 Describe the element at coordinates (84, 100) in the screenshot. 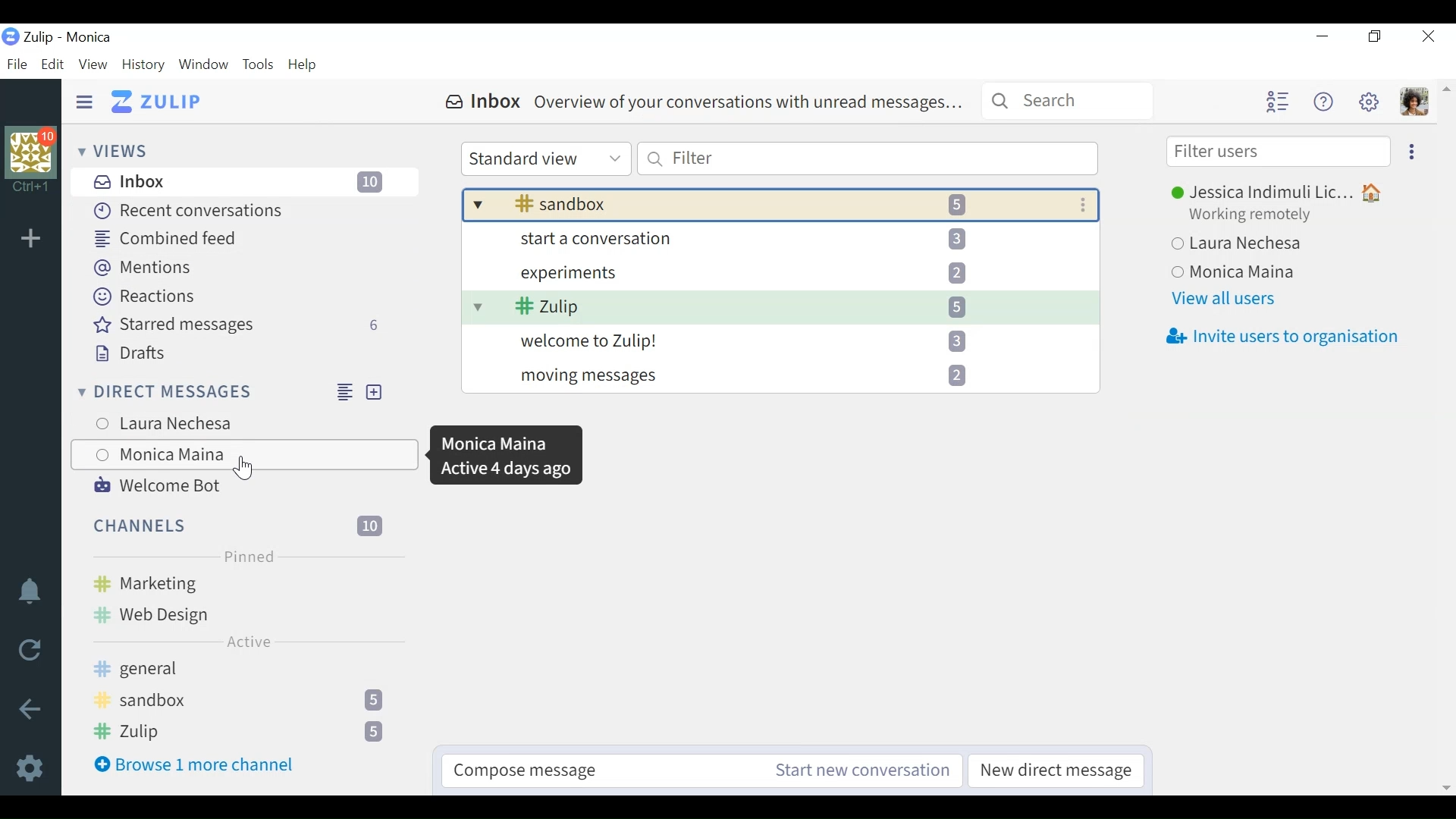

I see `Hide Sidebar` at that location.